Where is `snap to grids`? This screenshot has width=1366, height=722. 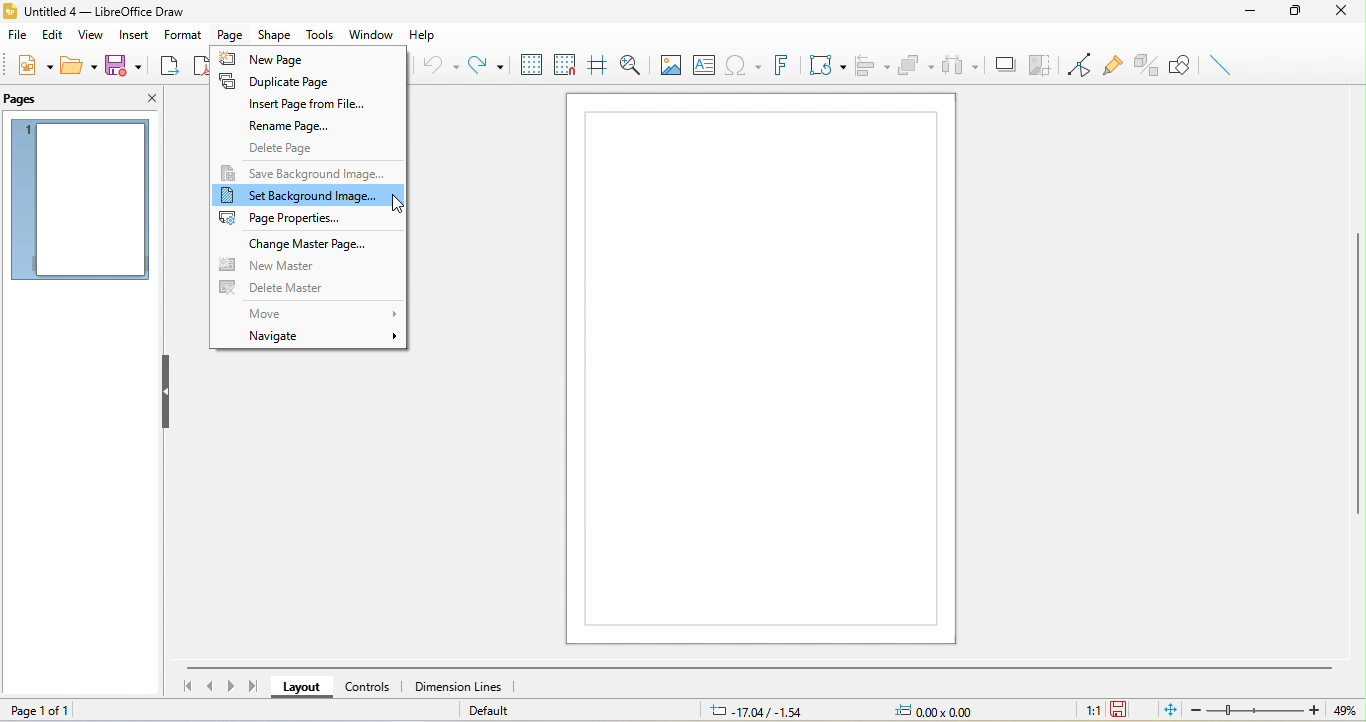
snap to grids is located at coordinates (565, 67).